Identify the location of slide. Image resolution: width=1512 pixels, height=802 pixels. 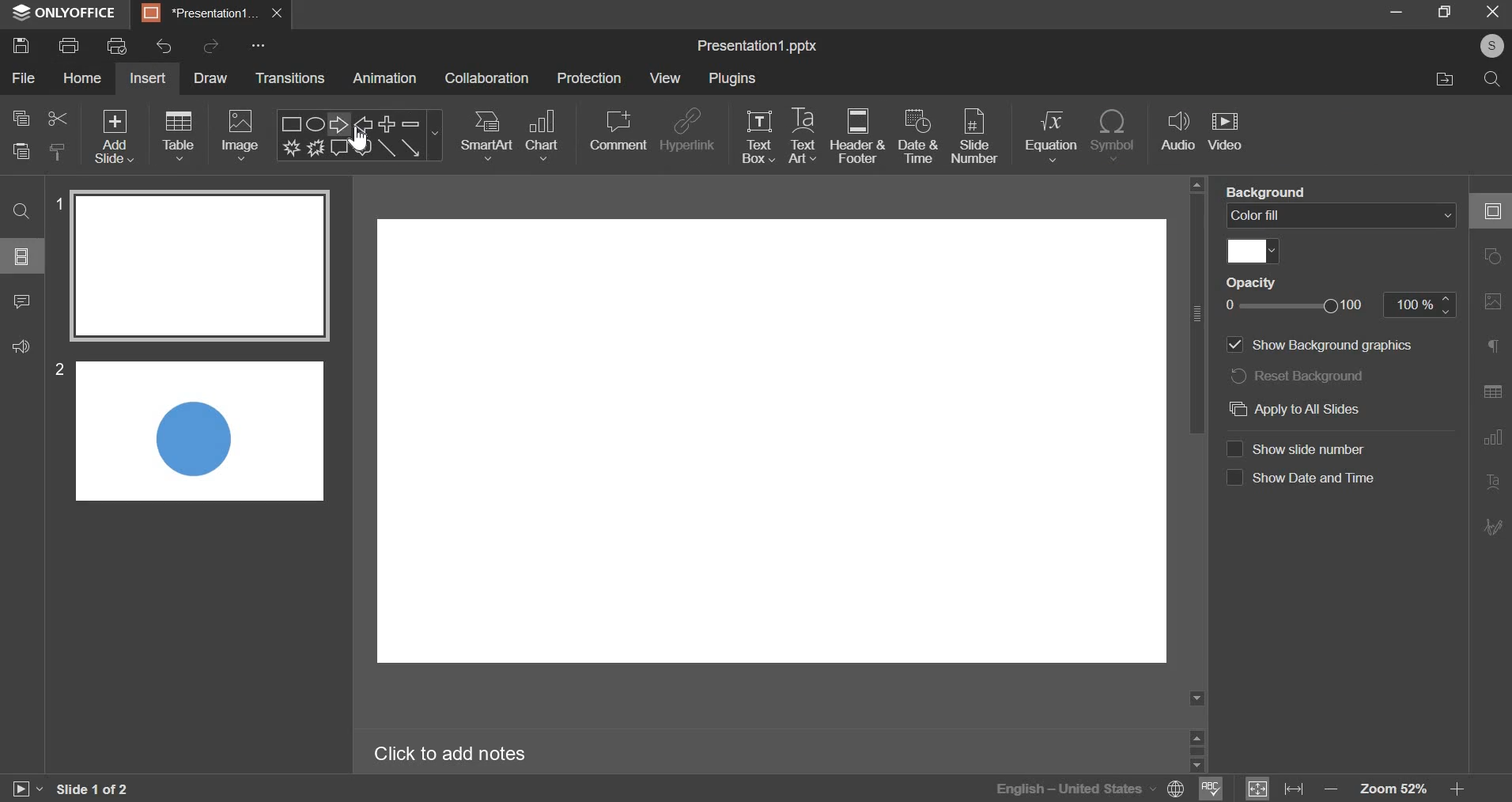
(22, 255).